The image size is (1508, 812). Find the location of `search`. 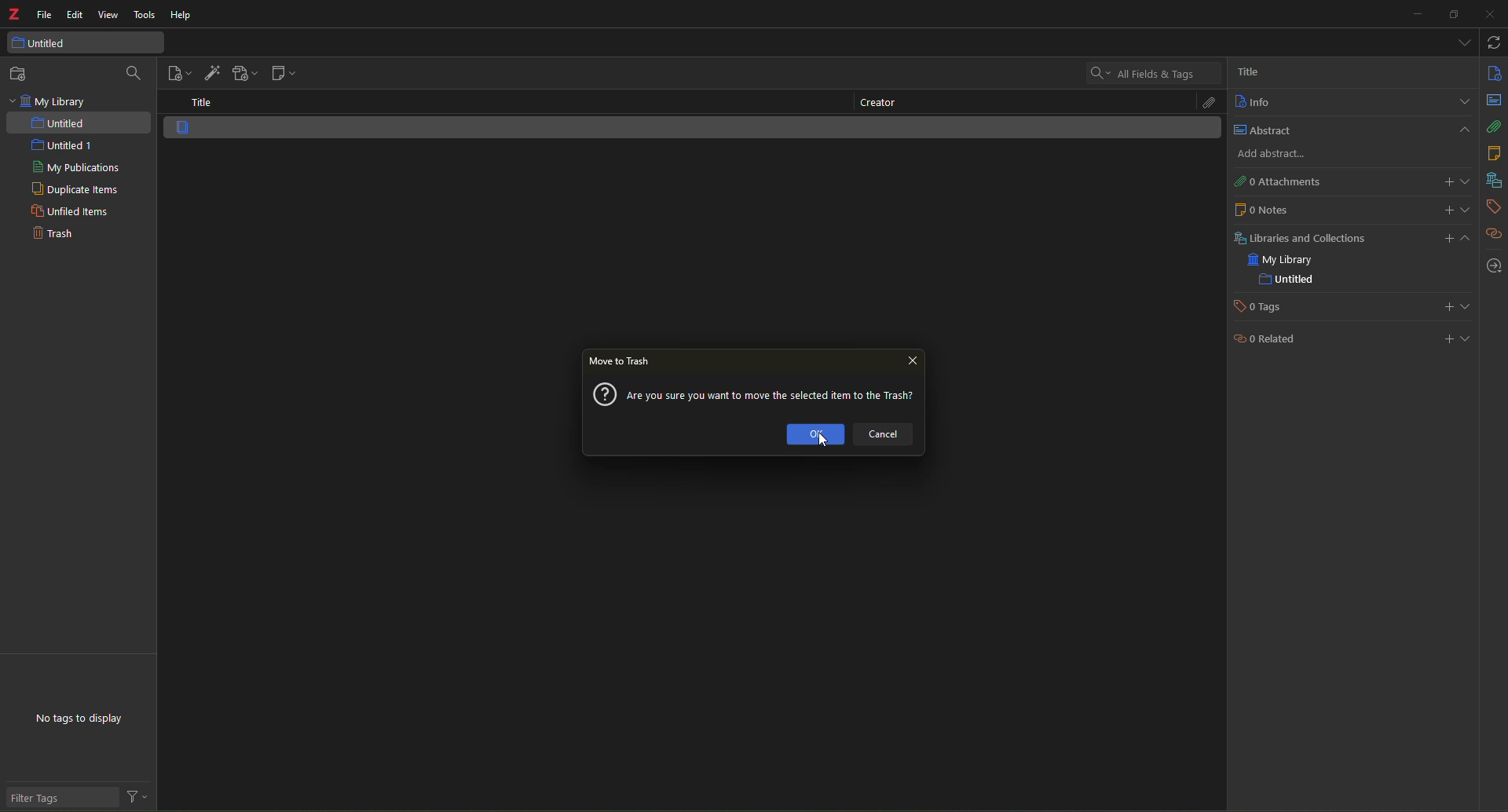

search is located at coordinates (135, 73).